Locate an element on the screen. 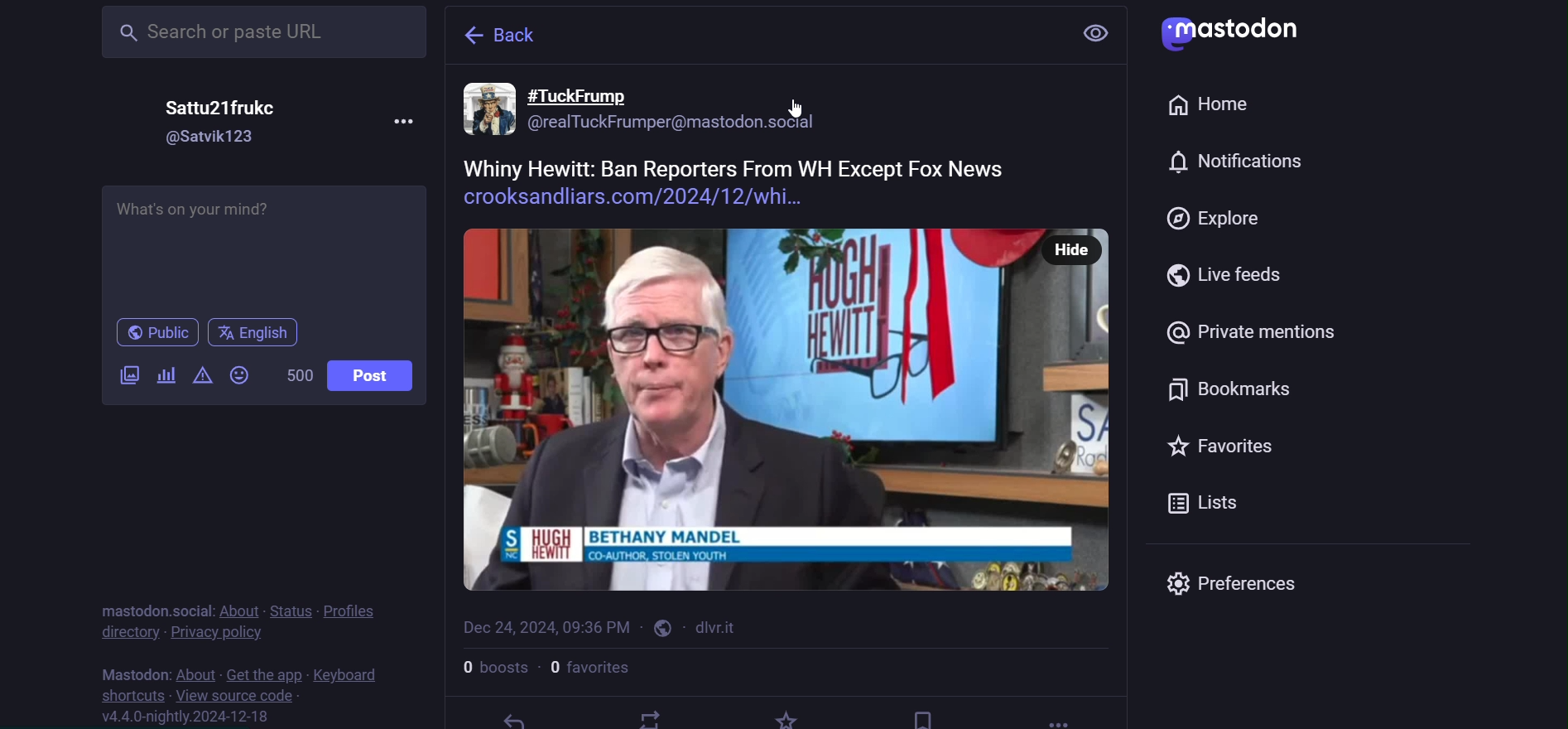 The height and width of the screenshot is (729, 1568). shortcut is located at coordinates (127, 693).